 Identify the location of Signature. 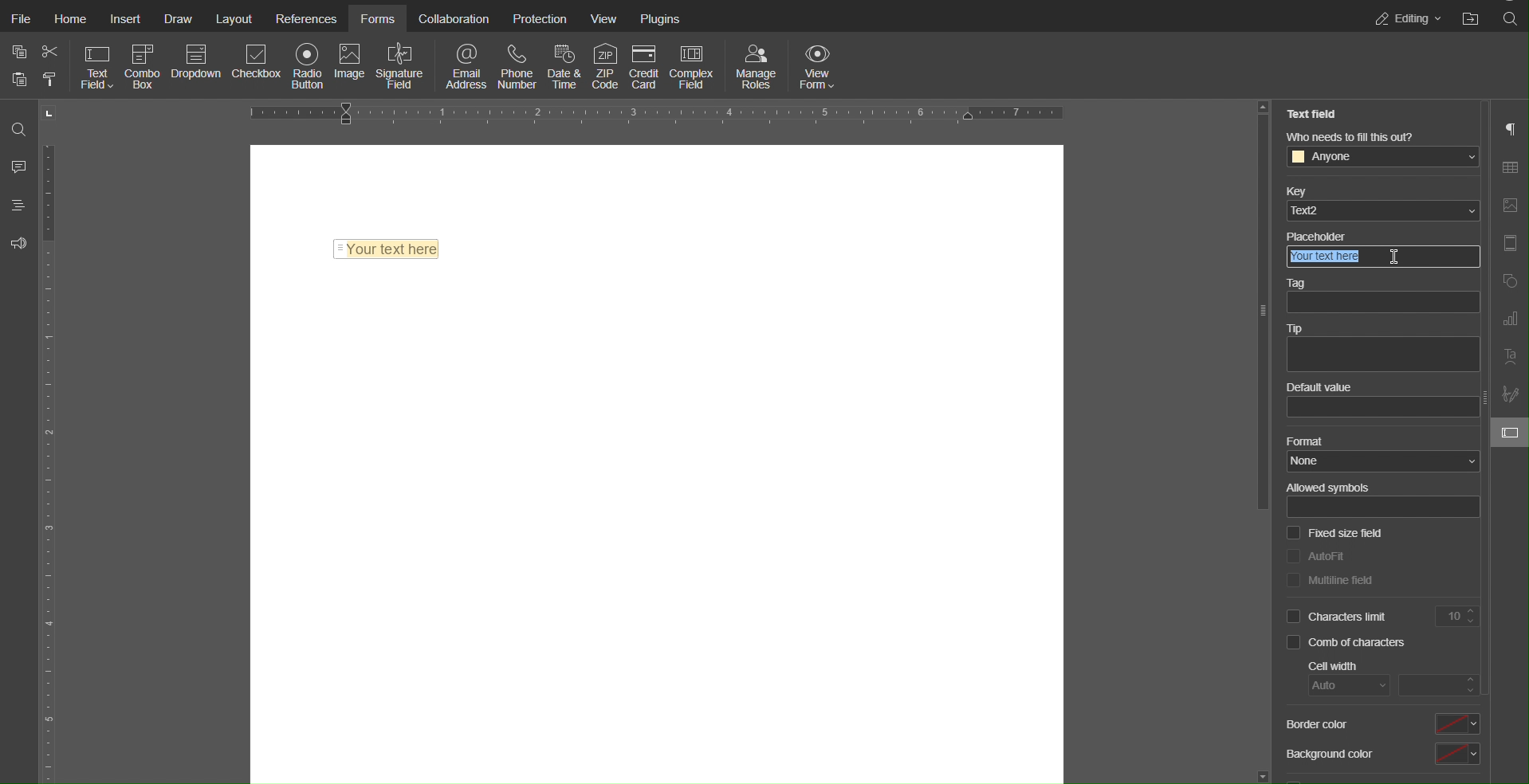
(399, 66).